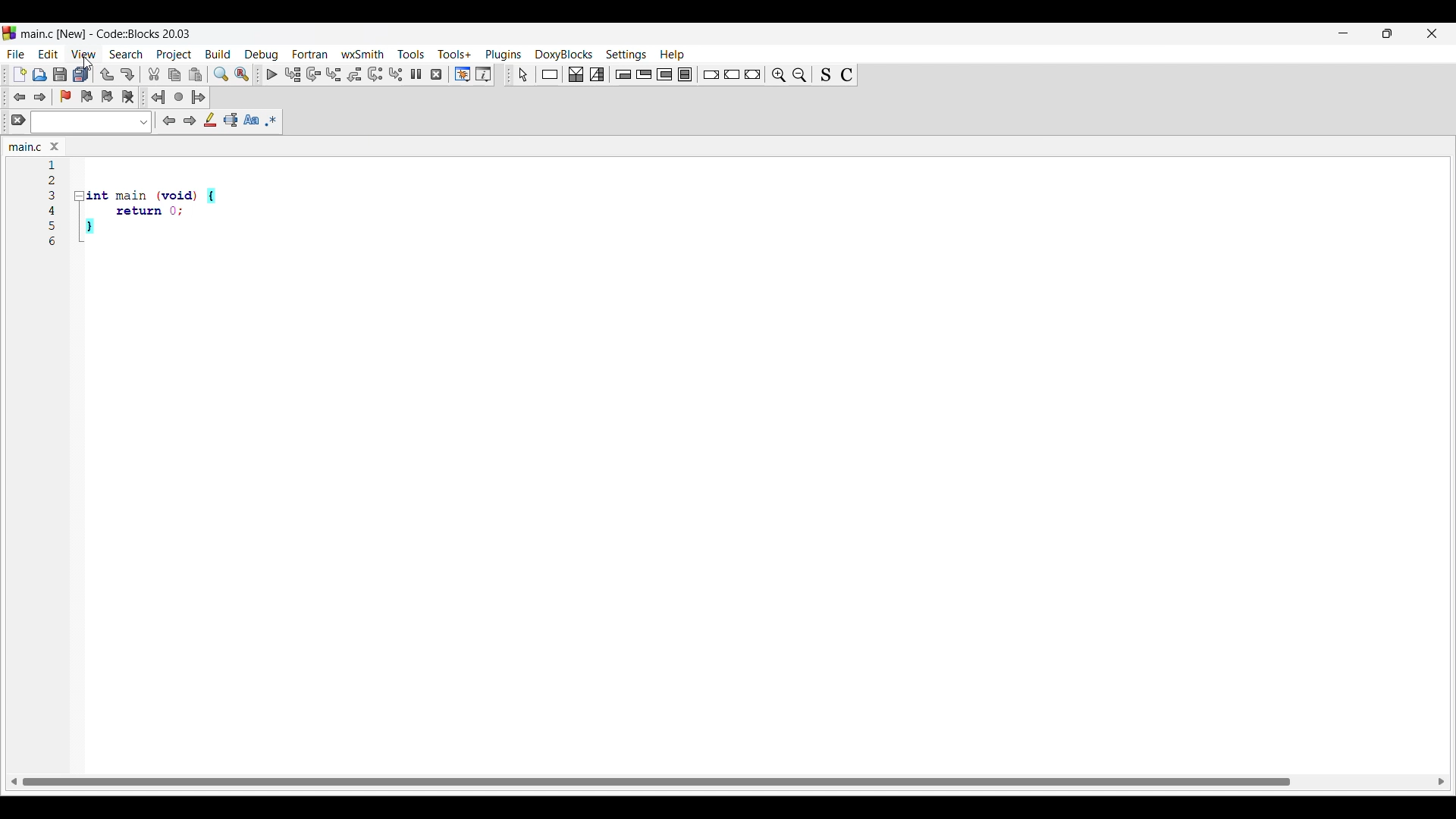  I want to click on Step into instruction, so click(396, 74).